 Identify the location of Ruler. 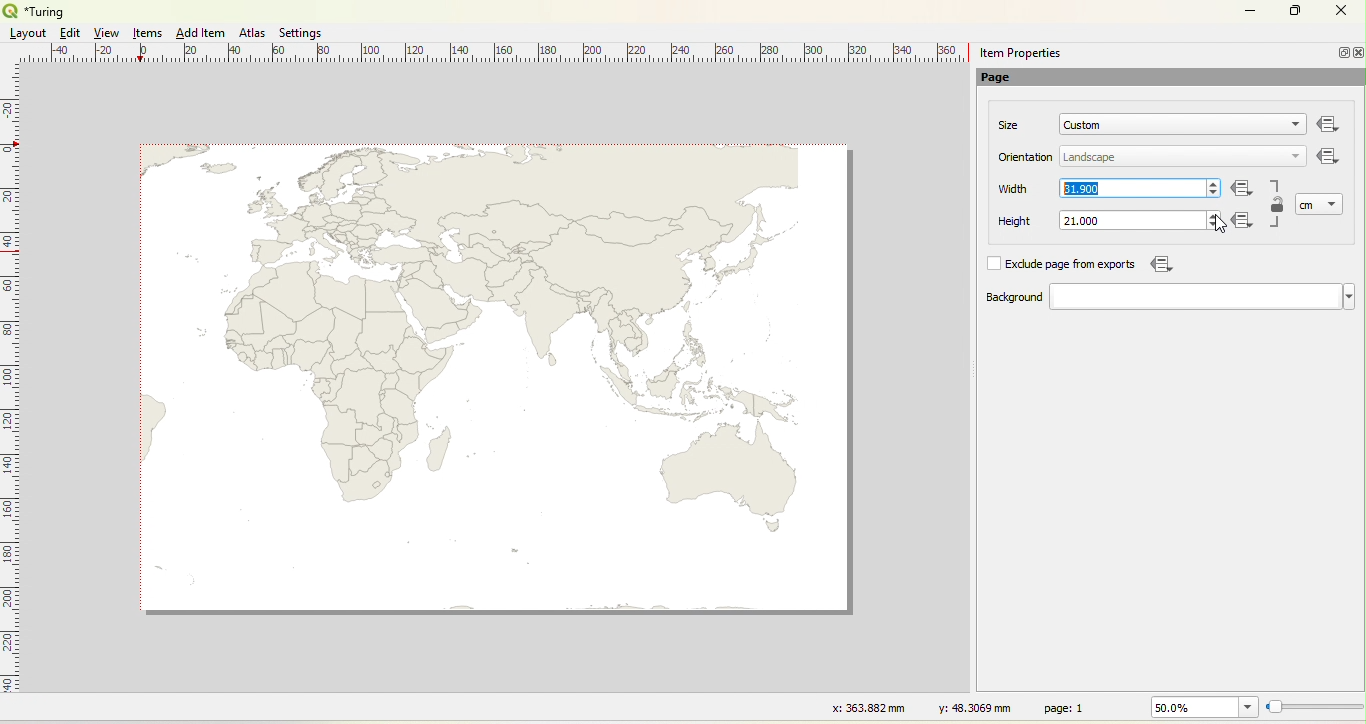
(501, 54).